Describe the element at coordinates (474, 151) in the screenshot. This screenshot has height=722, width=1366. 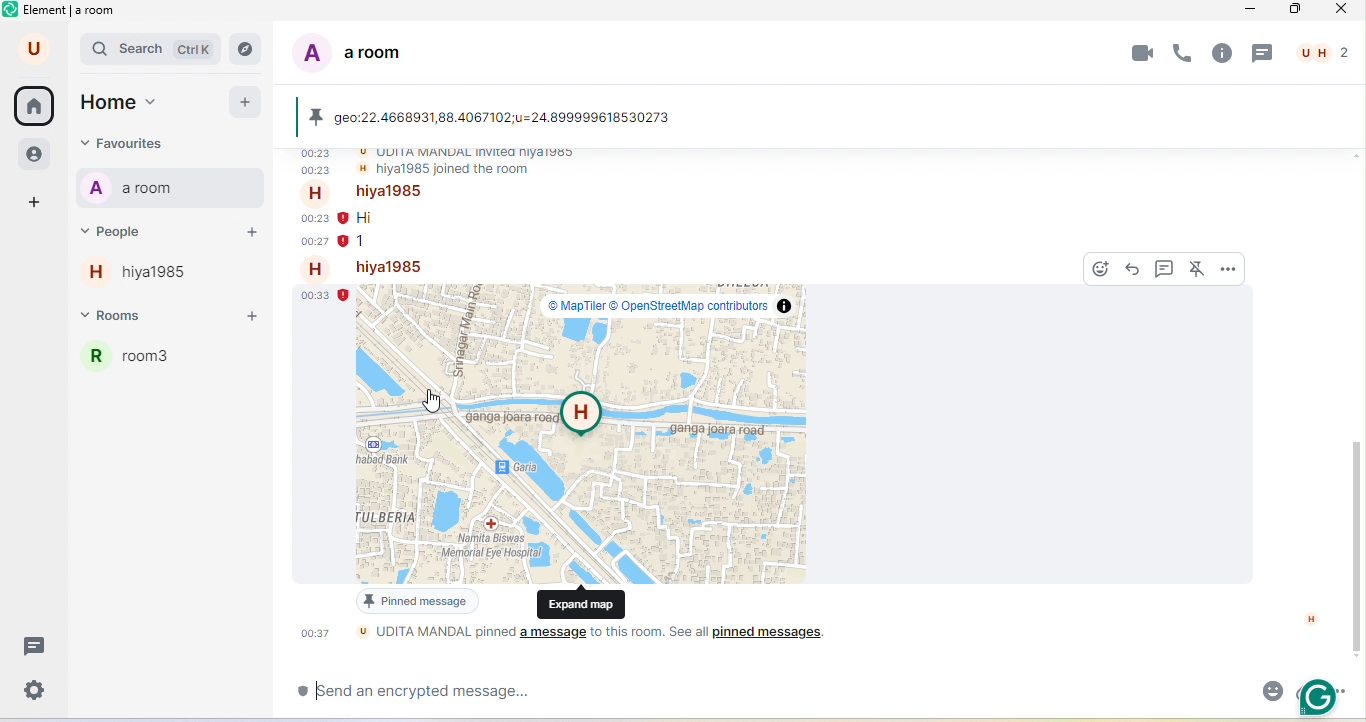
I see `udita mandal invited hiya 1985` at that location.